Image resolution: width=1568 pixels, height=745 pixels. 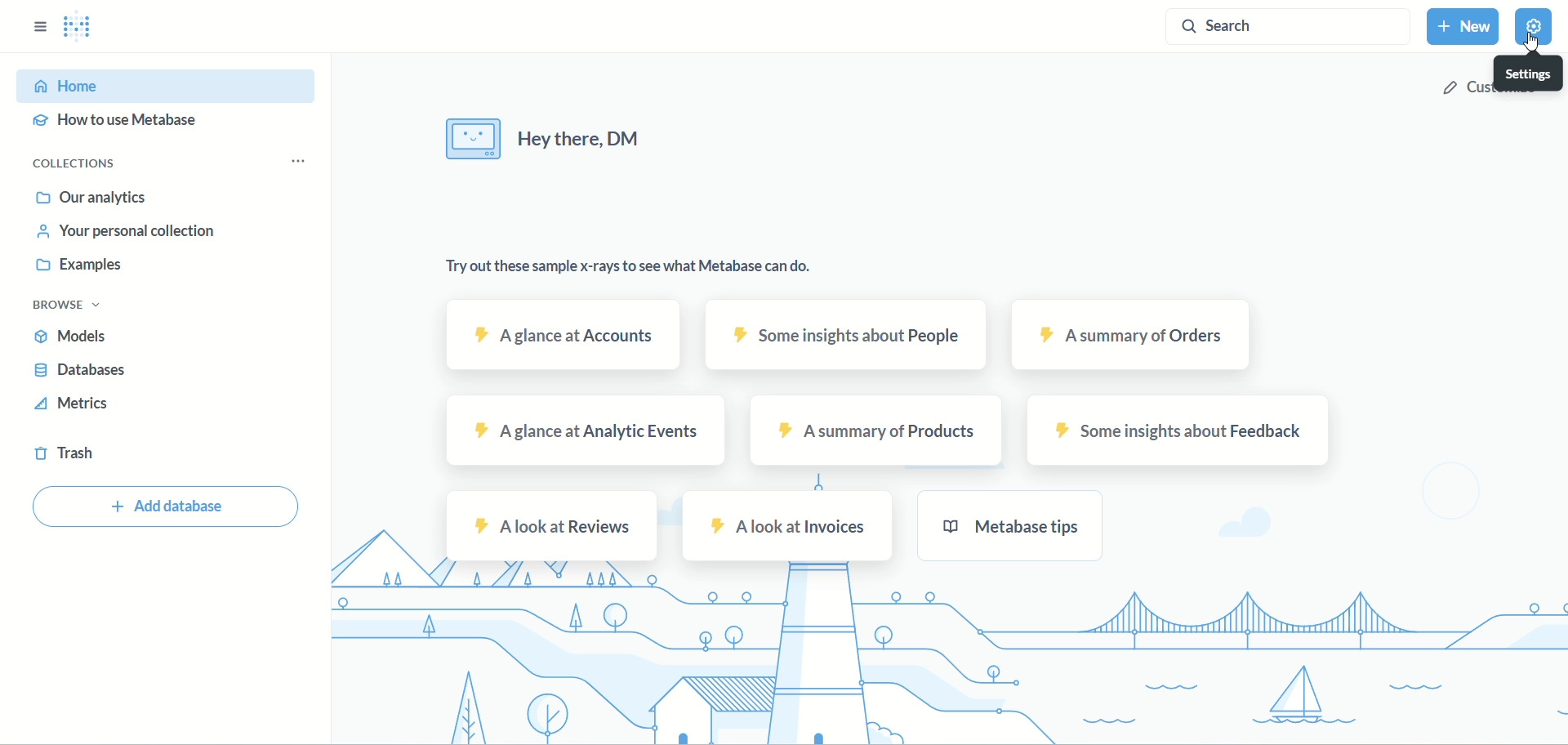 I want to click on customize, so click(x=1462, y=89).